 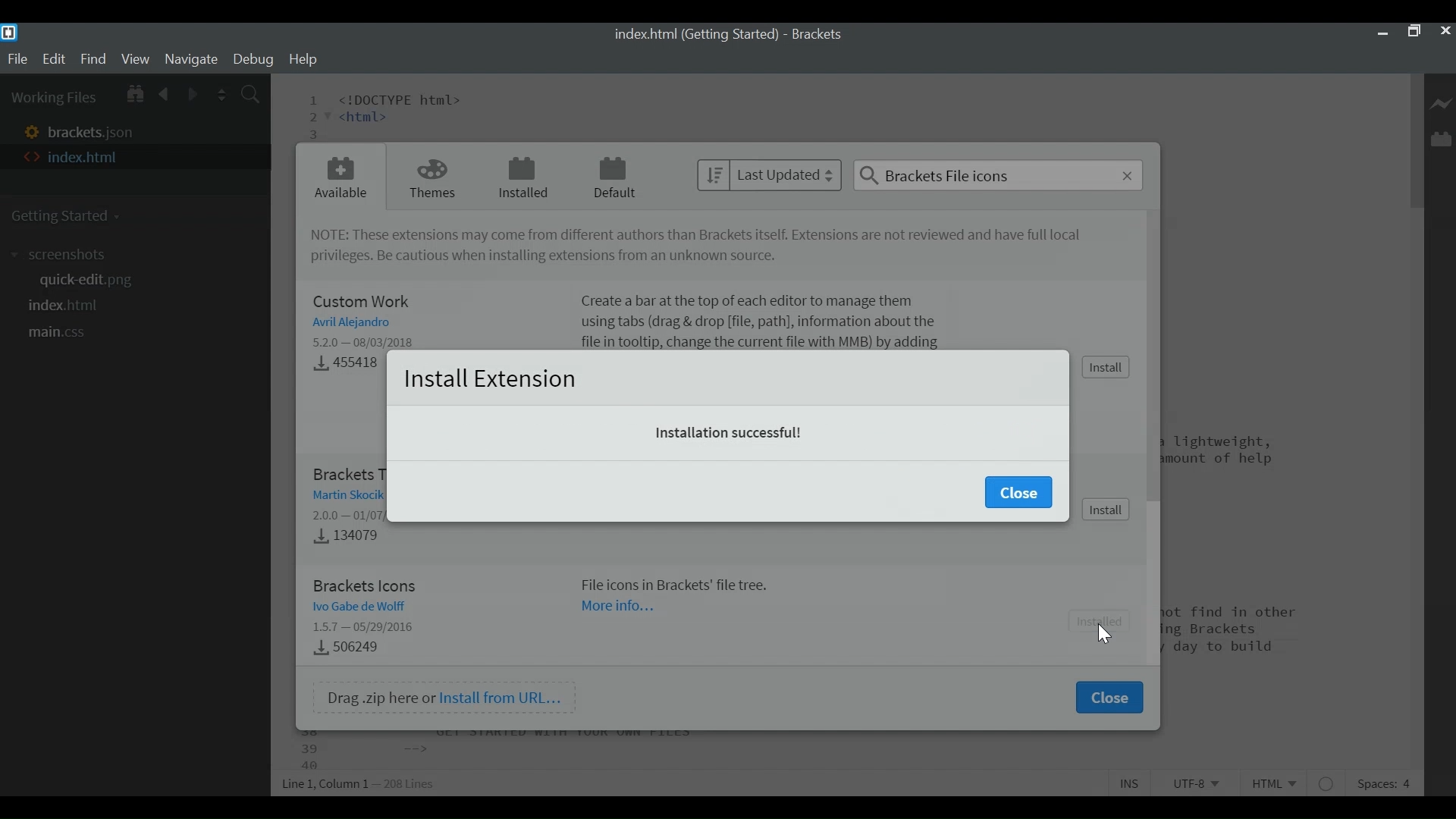 What do you see at coordinates (1109, 698) in the screenshot?
I see `Close` at bounding box center [1109, 698].